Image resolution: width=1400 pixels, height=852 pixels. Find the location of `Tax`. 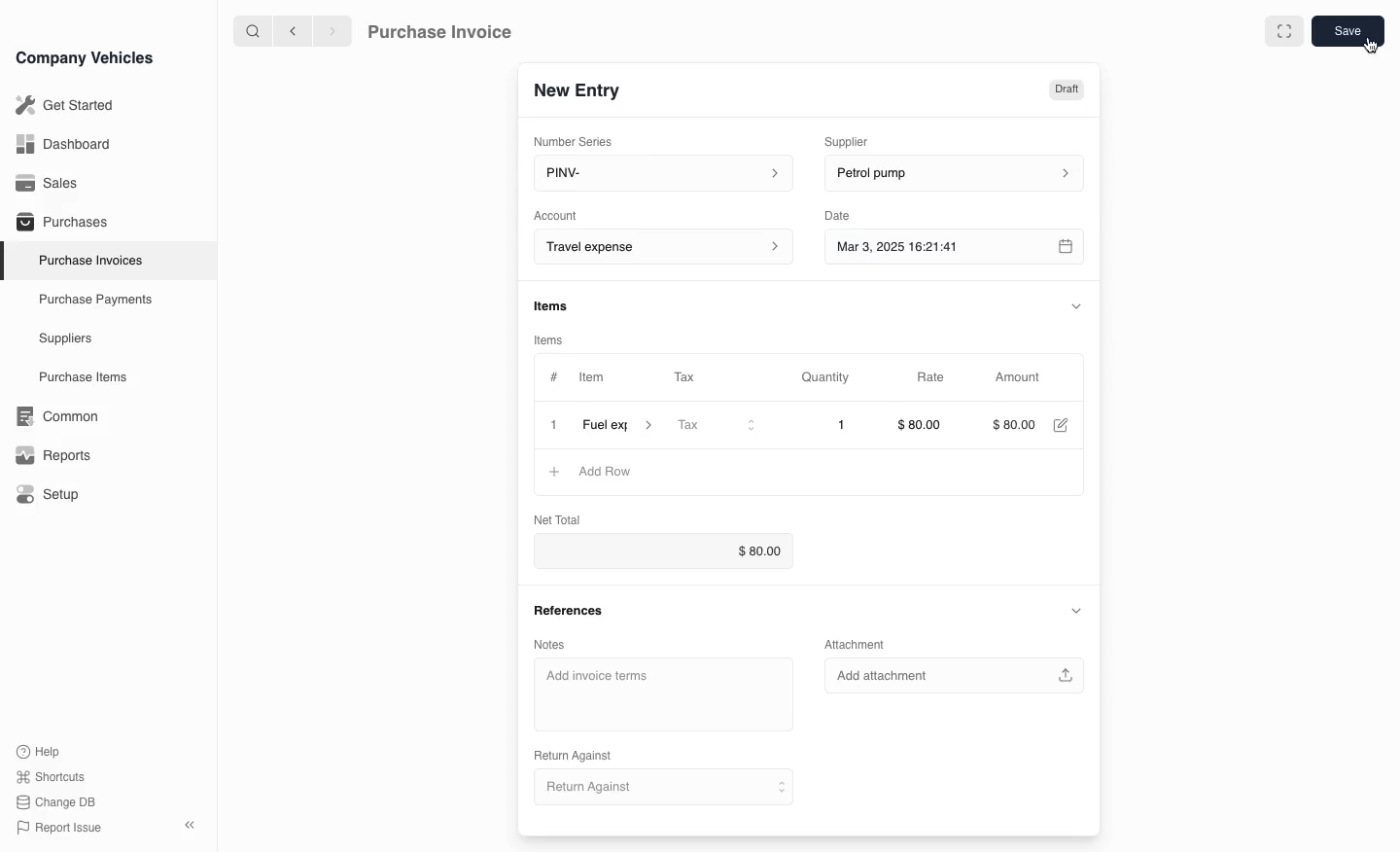

Tax is located at coordinates (693, 378).